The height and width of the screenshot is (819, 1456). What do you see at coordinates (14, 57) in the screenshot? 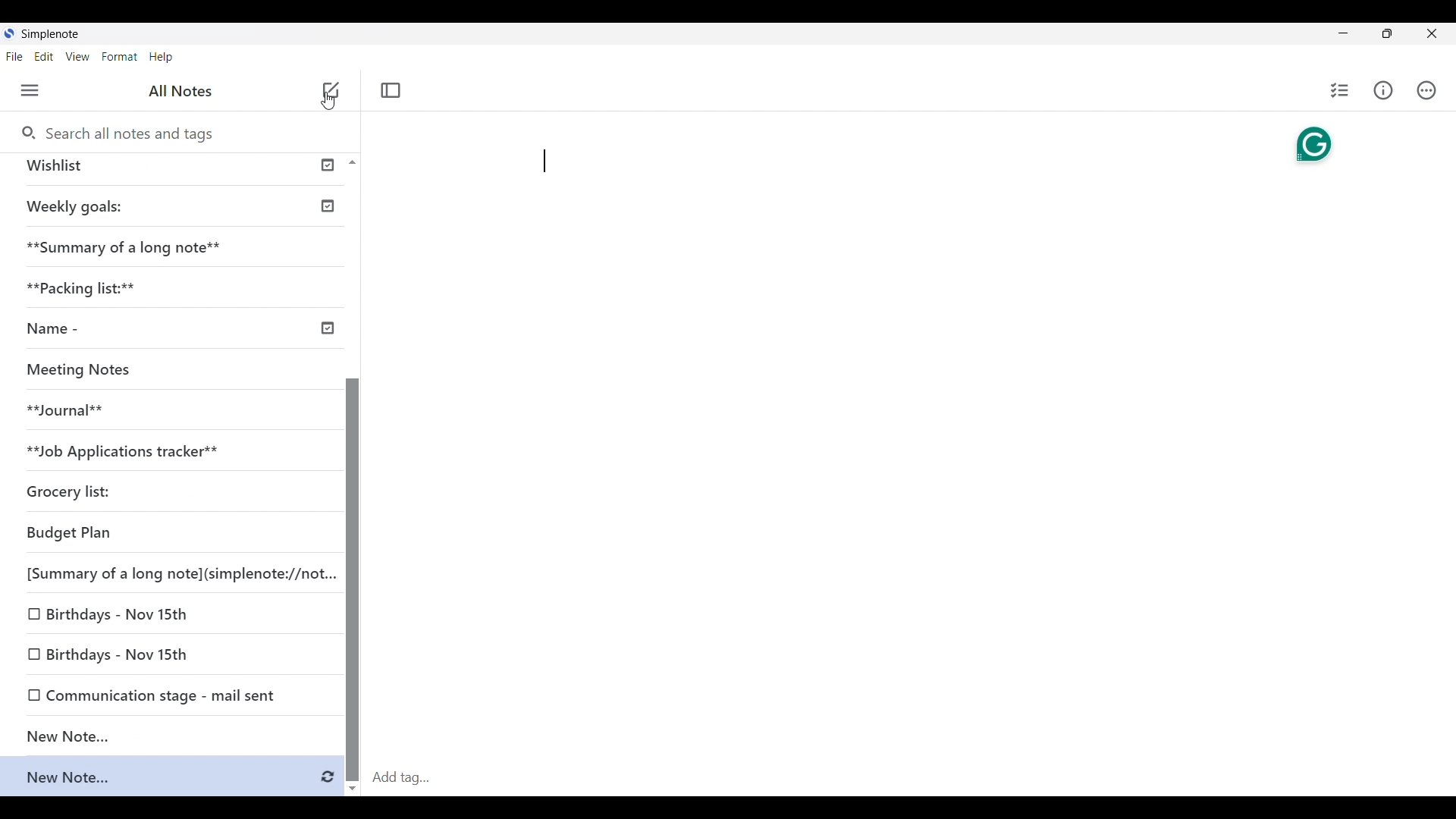
I see `File menu` at bounding box center [14, 57].